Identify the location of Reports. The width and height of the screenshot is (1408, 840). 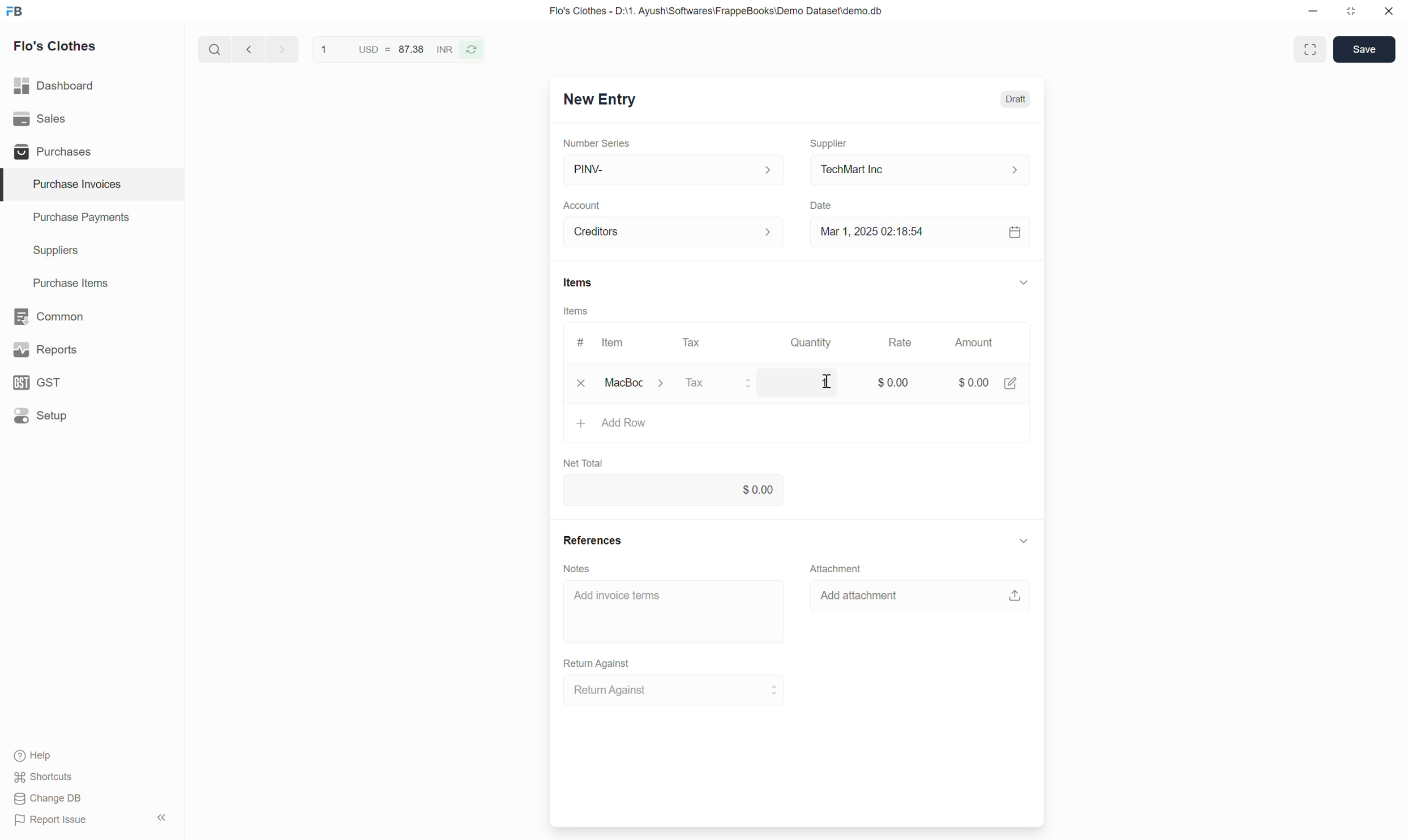
(92, 350).